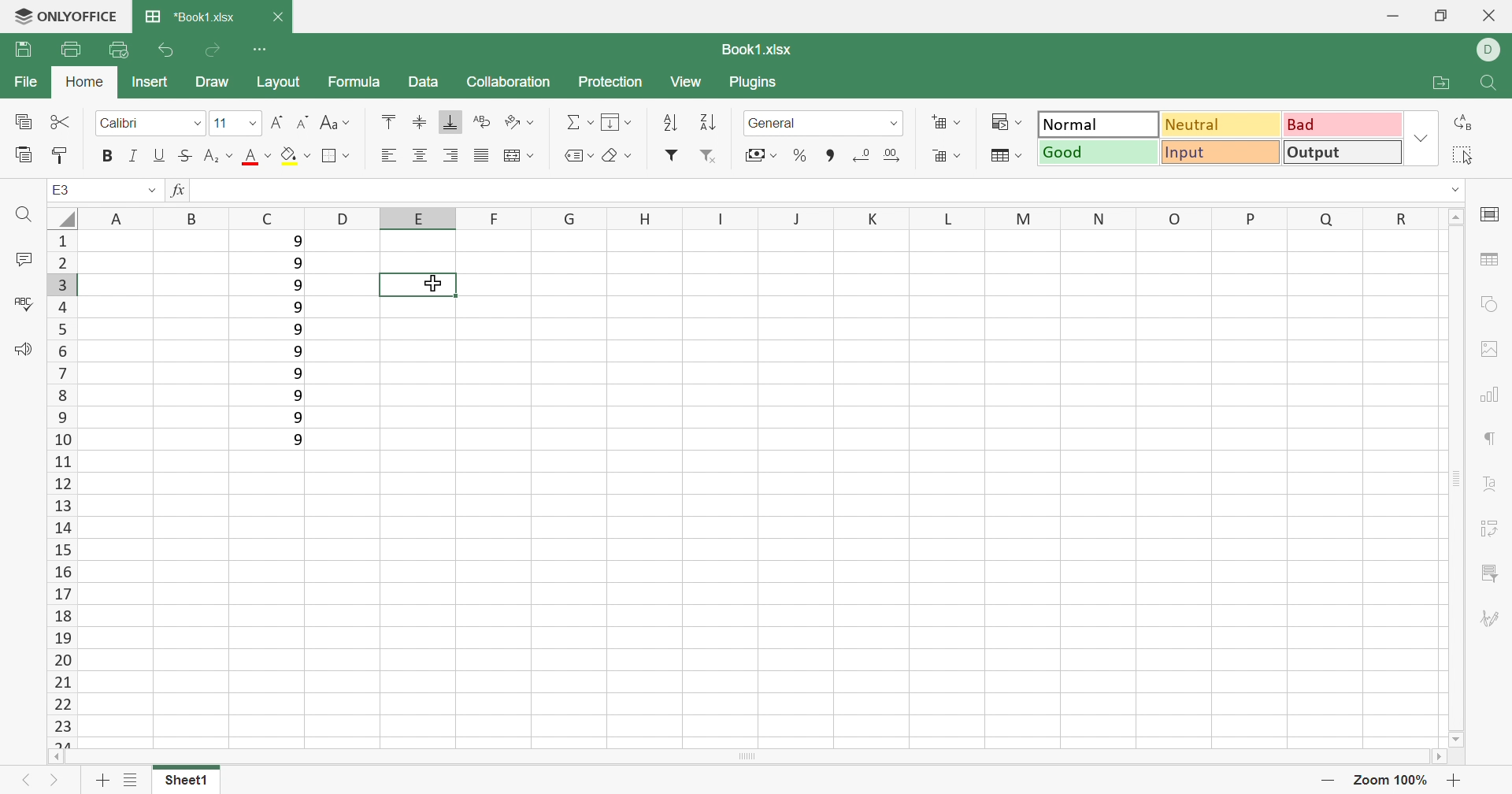 This screenshot has width=1512, height=794. What do you see at coordinates (120, 51) in the screenshot?
I see `Quick Print` at bounding box center [120, 51].